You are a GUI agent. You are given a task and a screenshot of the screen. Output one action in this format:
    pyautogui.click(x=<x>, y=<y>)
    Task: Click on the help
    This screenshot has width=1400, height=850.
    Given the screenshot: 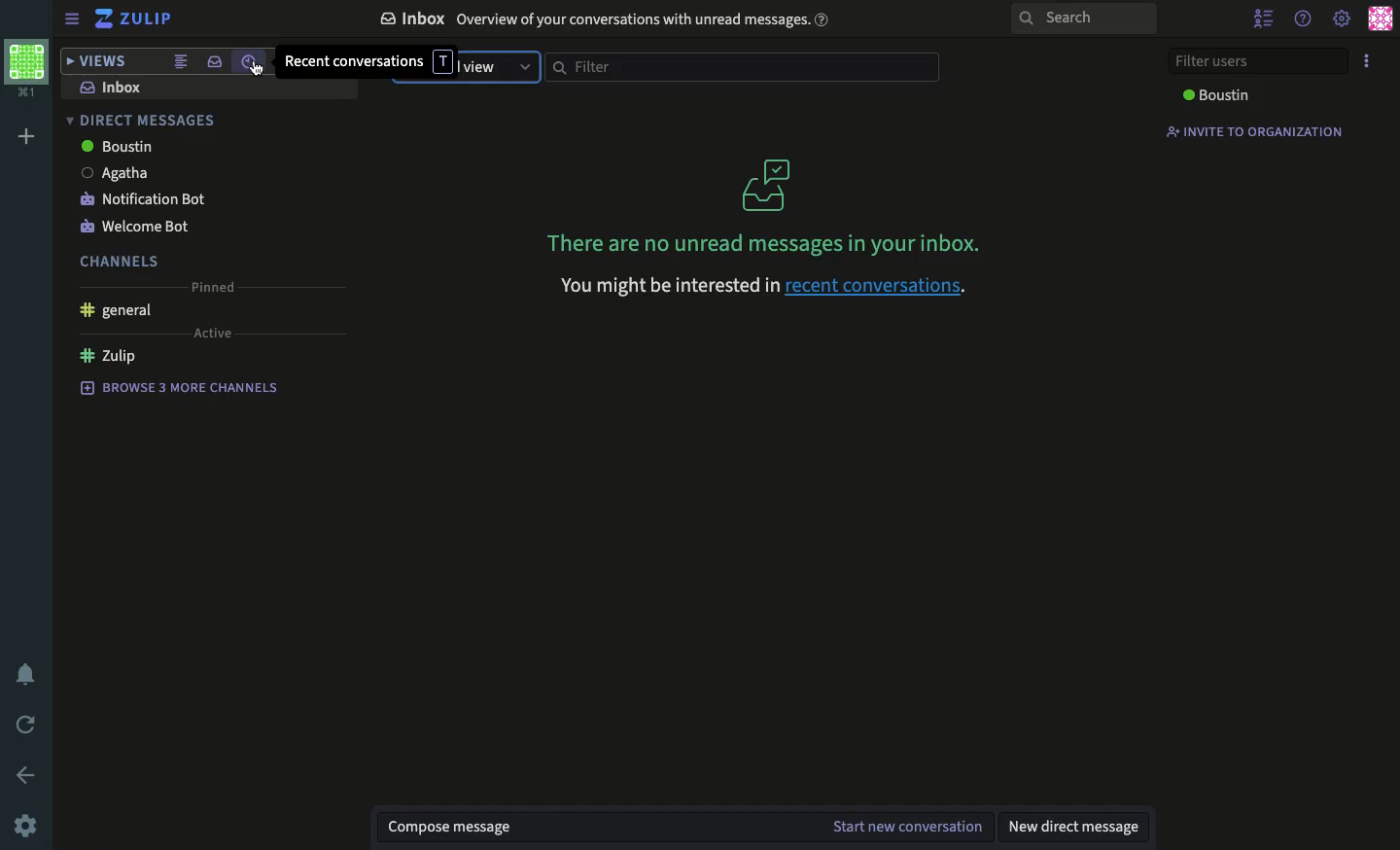 What is the action you would take?
    pyautogui.click(x=1304, y=19)
    